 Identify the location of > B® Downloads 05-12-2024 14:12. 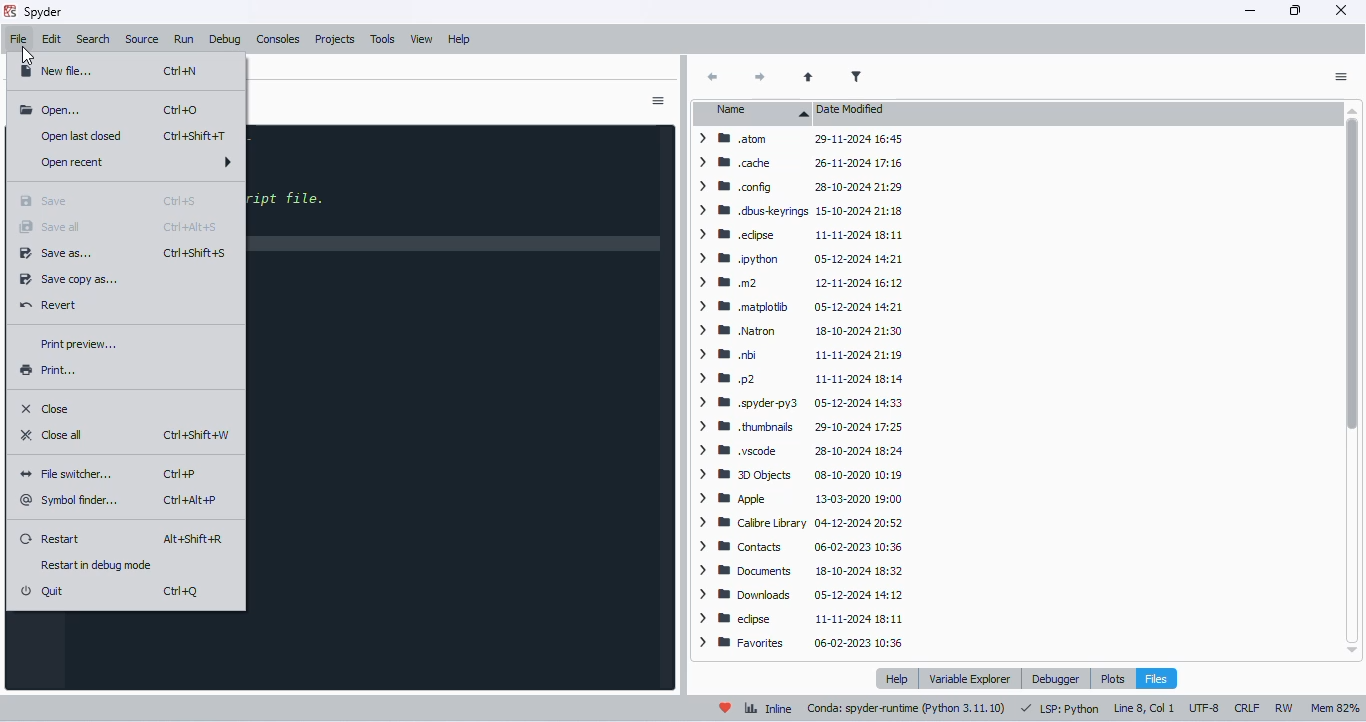
(798, 595).